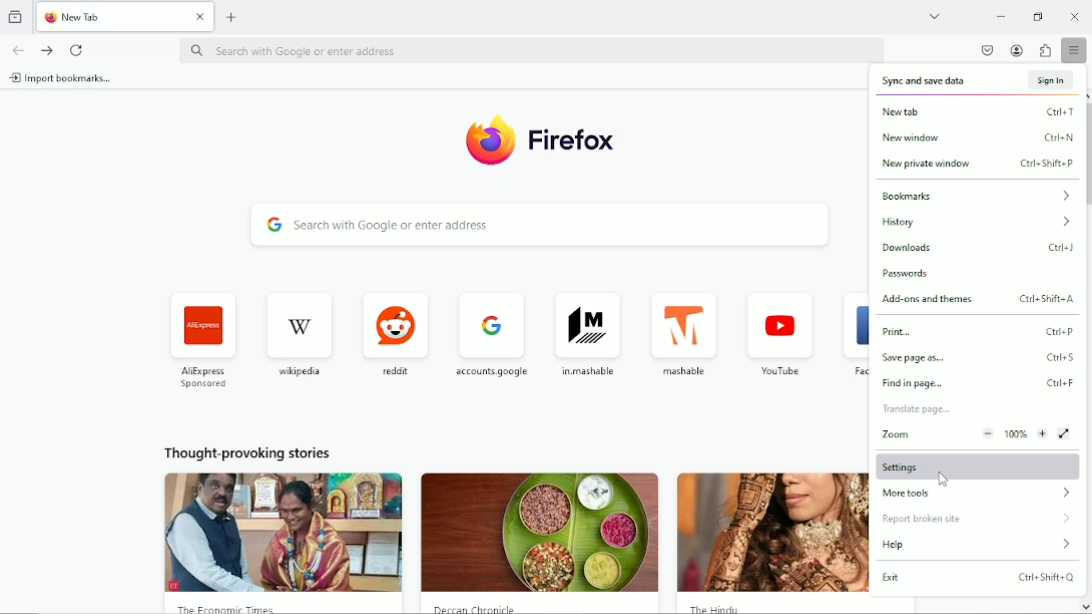 This screenshot has height=614, width=1092. What do you see at coordinates (1075, 51) in the screenshot?
I see `Open application menu` at bounding box center [1075, 51].